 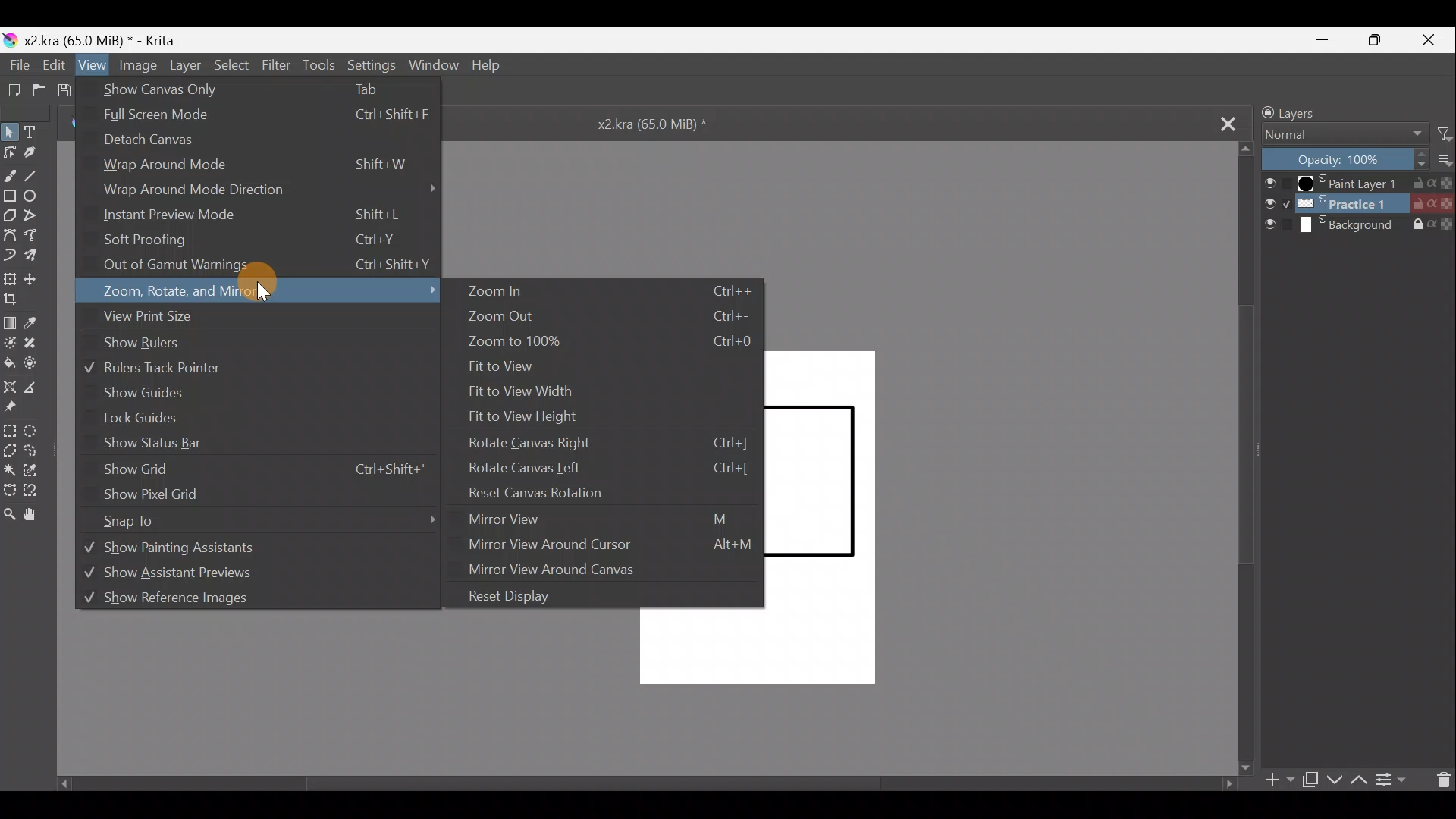 What do you see at coordinates (256, 89) in the screenshot?
I see `Show canvas only` at bounding box center [256, 89].